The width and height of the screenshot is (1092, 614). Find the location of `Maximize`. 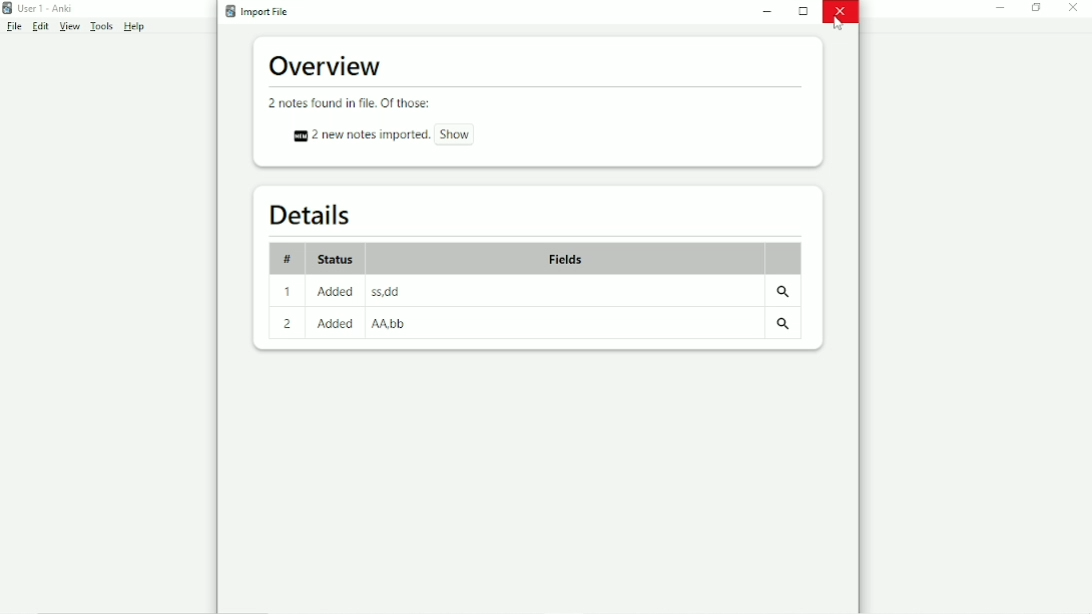

Maximize is located at coordinates (804, 11).